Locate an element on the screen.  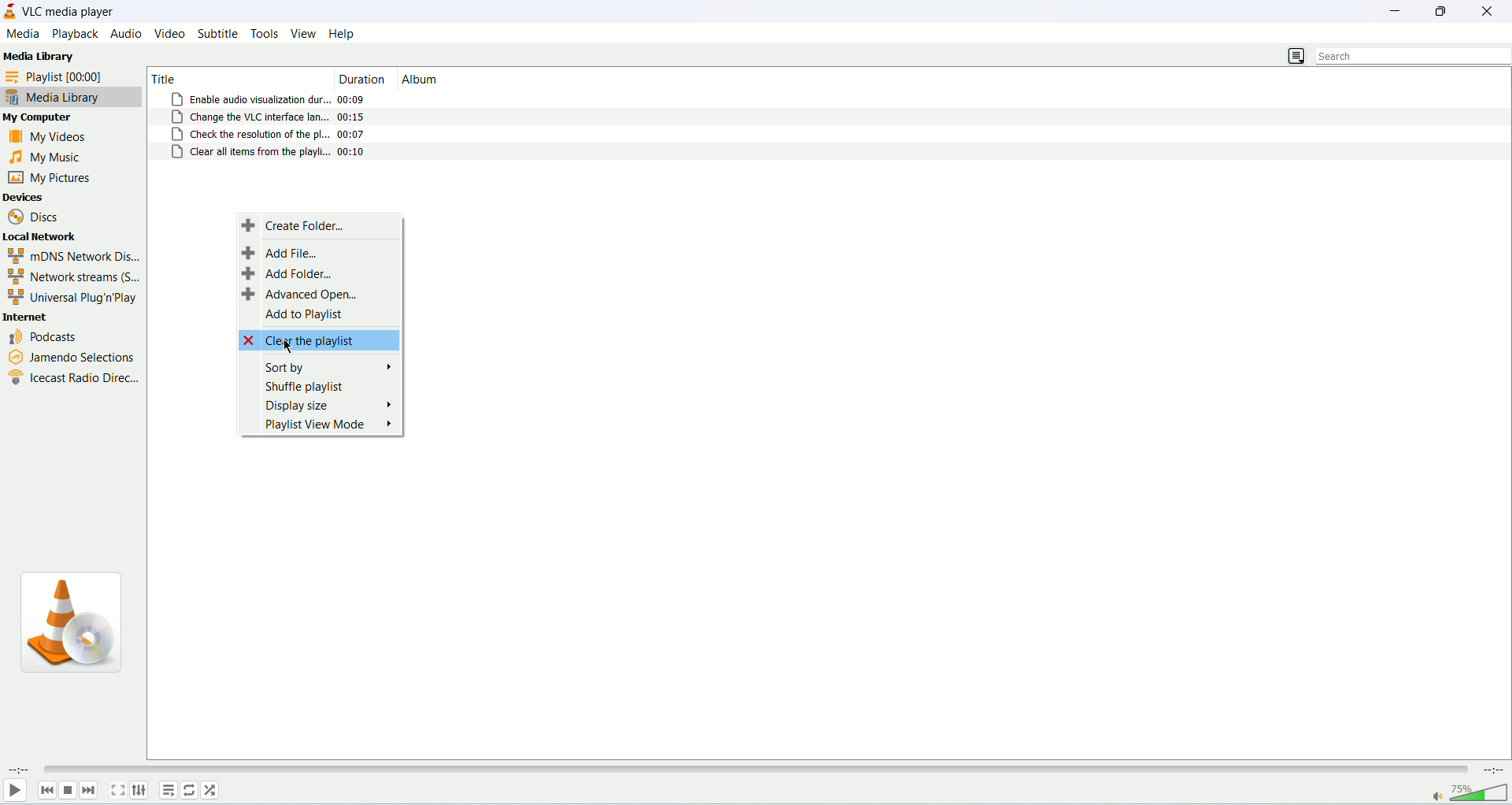
clear the playlist is located at coordinates (319, 340).